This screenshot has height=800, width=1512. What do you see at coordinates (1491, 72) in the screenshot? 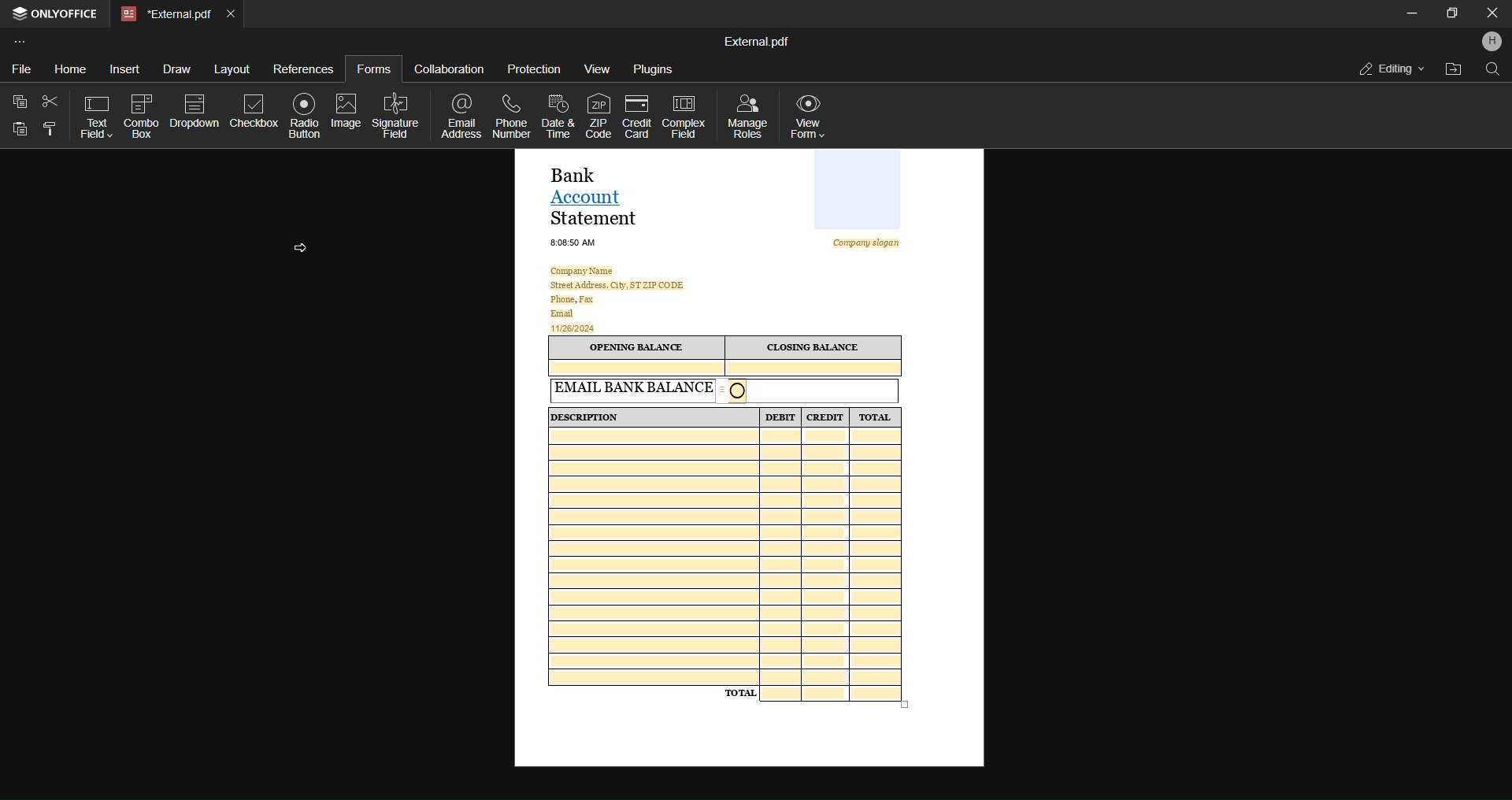
I see `find` at bounding box center [1491, 72].